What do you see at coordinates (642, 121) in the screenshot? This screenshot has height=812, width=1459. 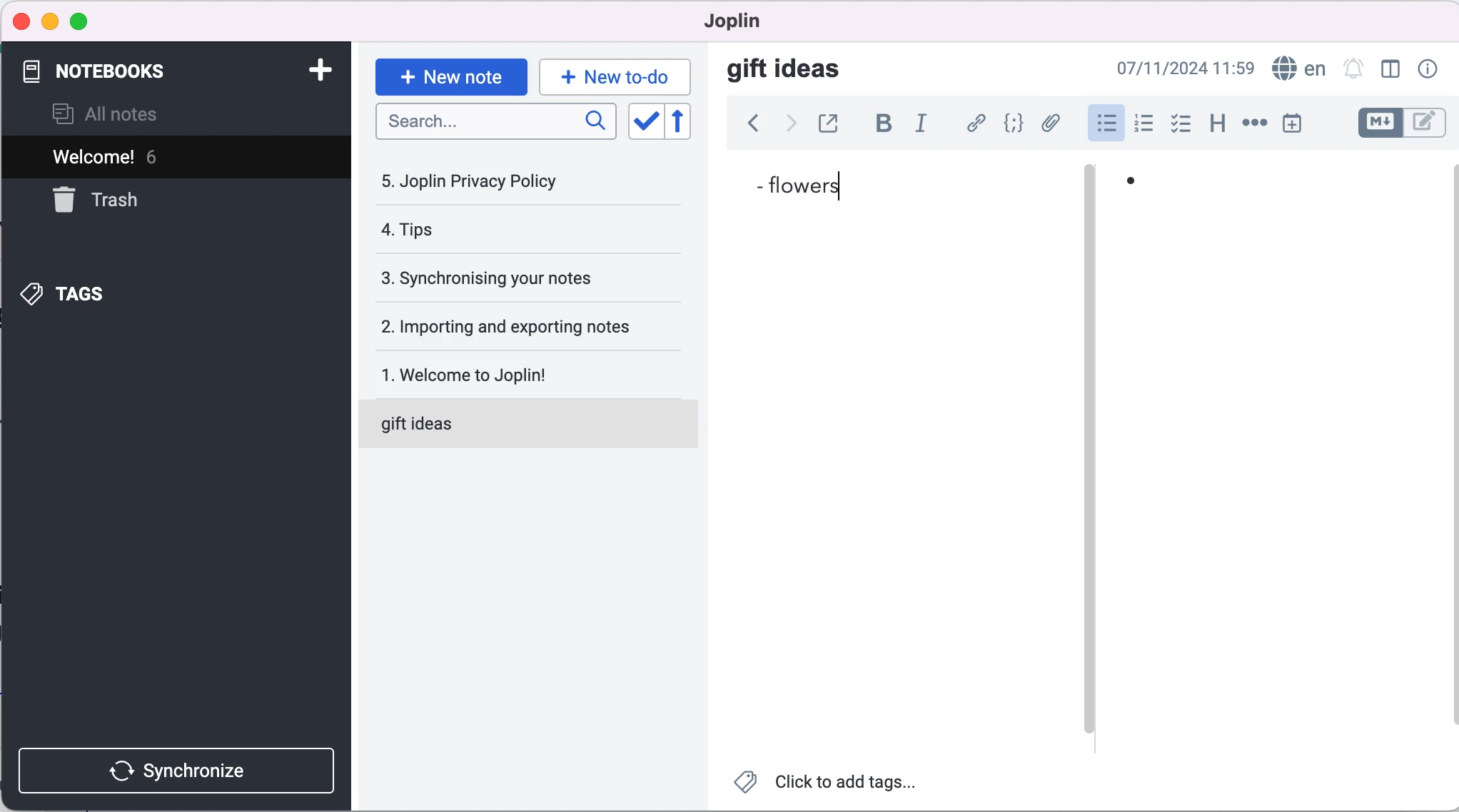 I see `toggle sort order field` at bounding box center [642, 121].